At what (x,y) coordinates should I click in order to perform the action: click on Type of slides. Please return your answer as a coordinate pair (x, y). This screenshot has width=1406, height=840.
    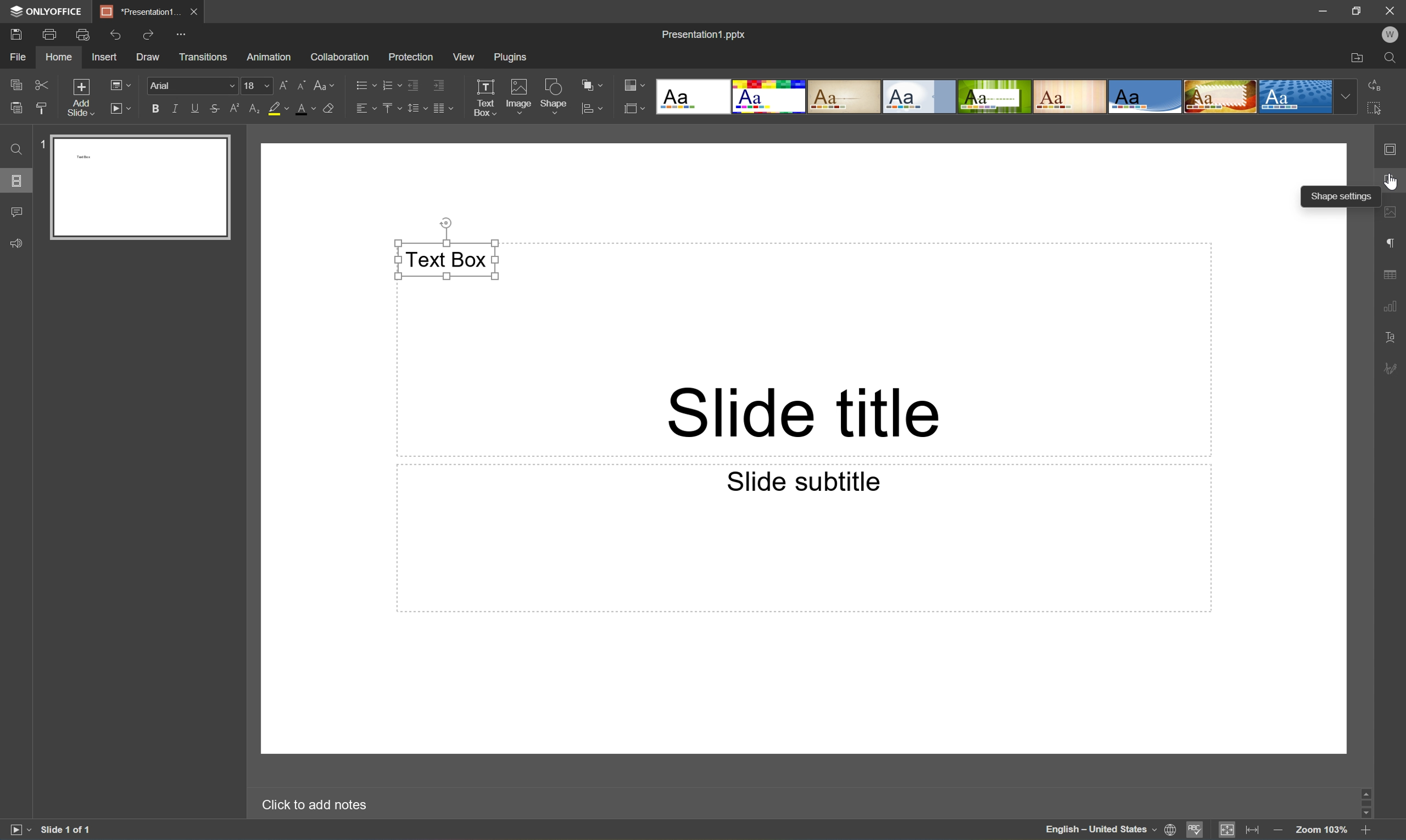
    Looking at the image, I should click on (993, 97).